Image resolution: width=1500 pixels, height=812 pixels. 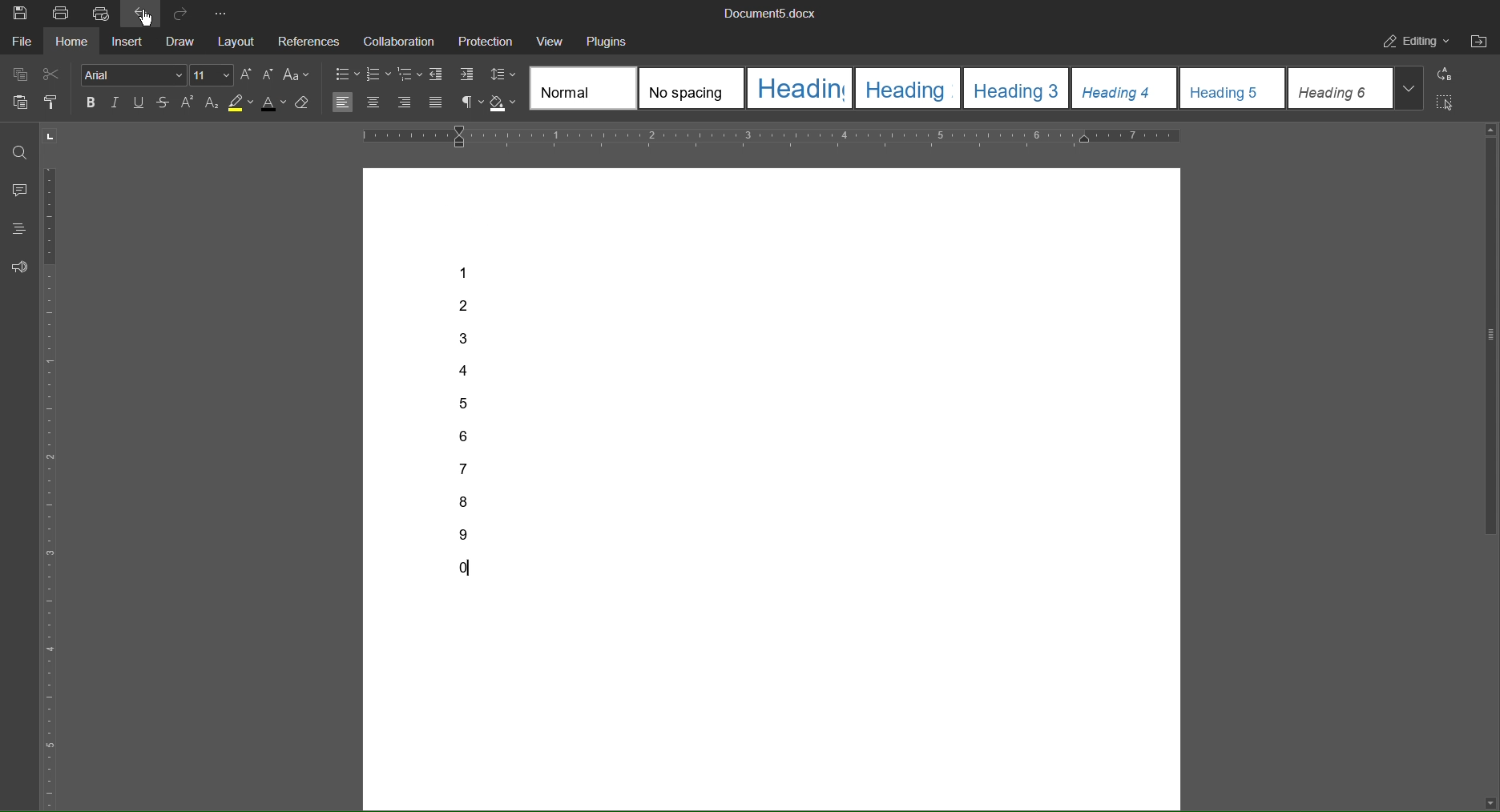 What do you see at coordinates (181, 12) in the screenshot?
I see `Redo` at bounding box center [181, 12].